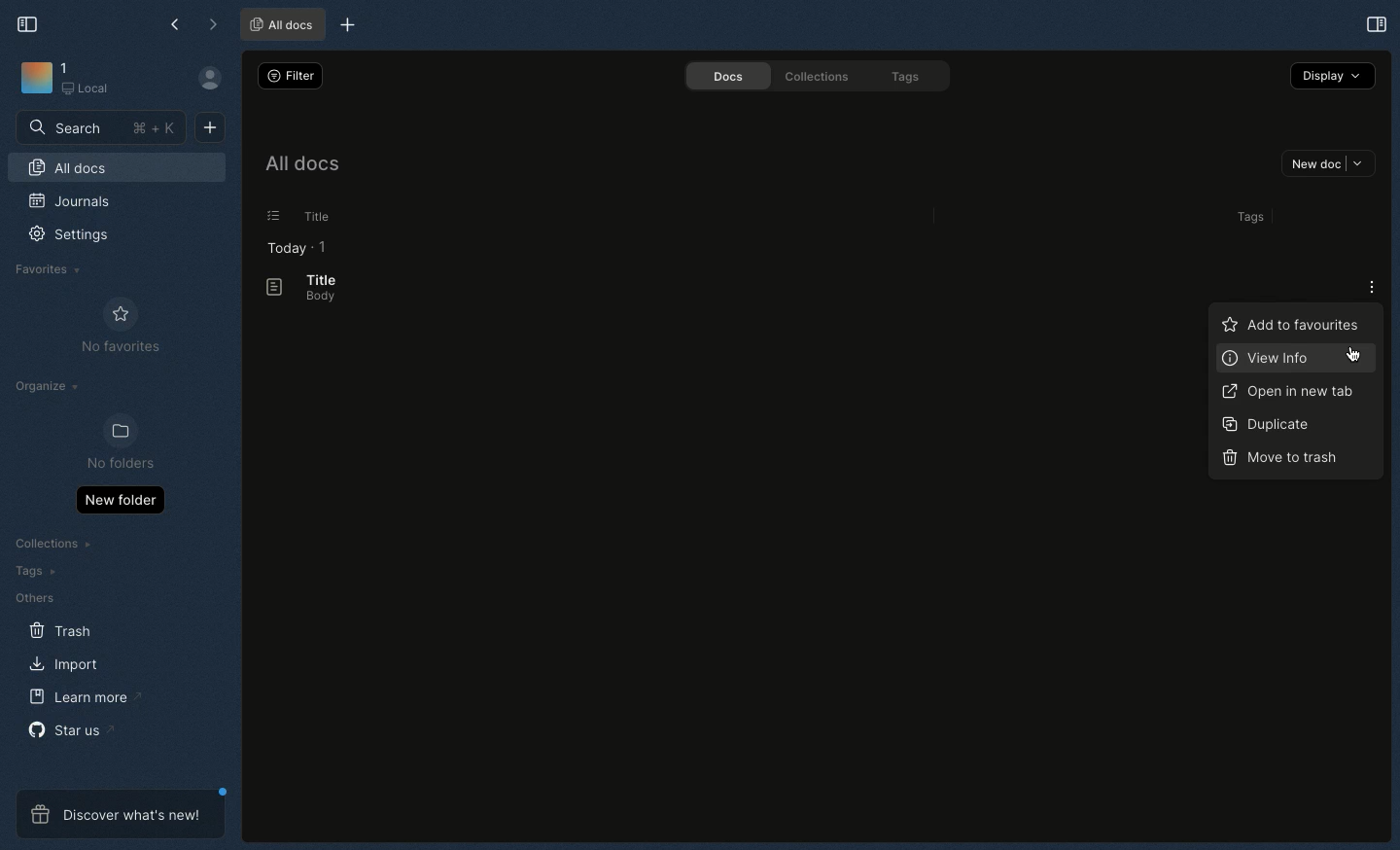 The image size is (1400, 850). What do you see at coordinates (281, 248) in the screenshot?
I see `Today` at bounding box center [281, 248].